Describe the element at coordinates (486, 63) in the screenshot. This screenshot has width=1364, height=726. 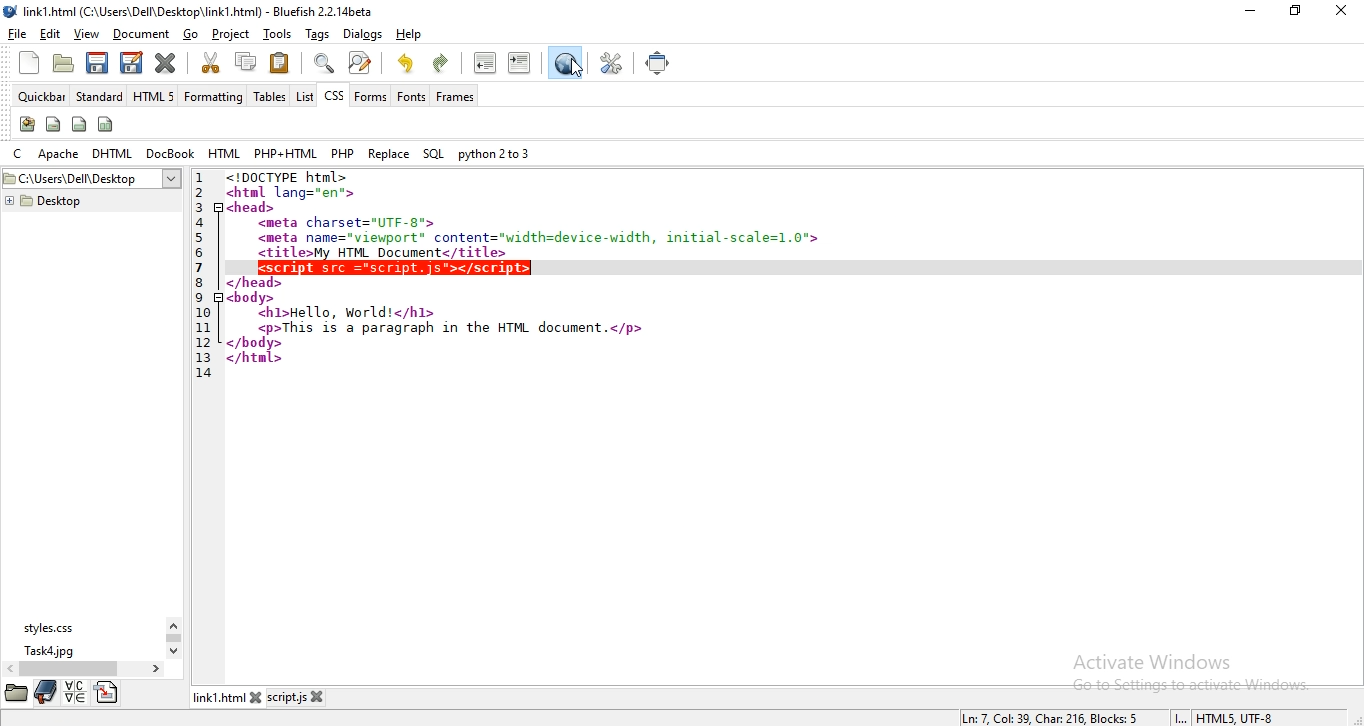
I see `unindent` at that location.